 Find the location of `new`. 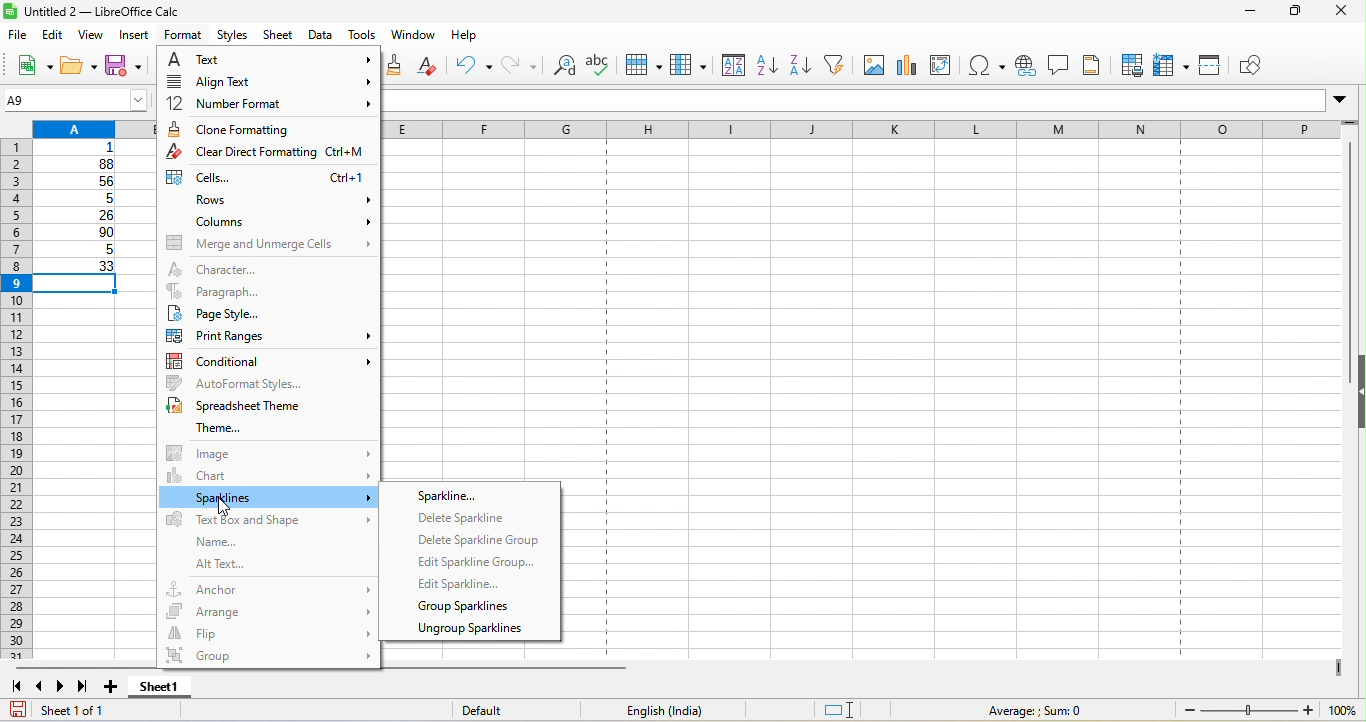

new is located at coordinates (28, 64).